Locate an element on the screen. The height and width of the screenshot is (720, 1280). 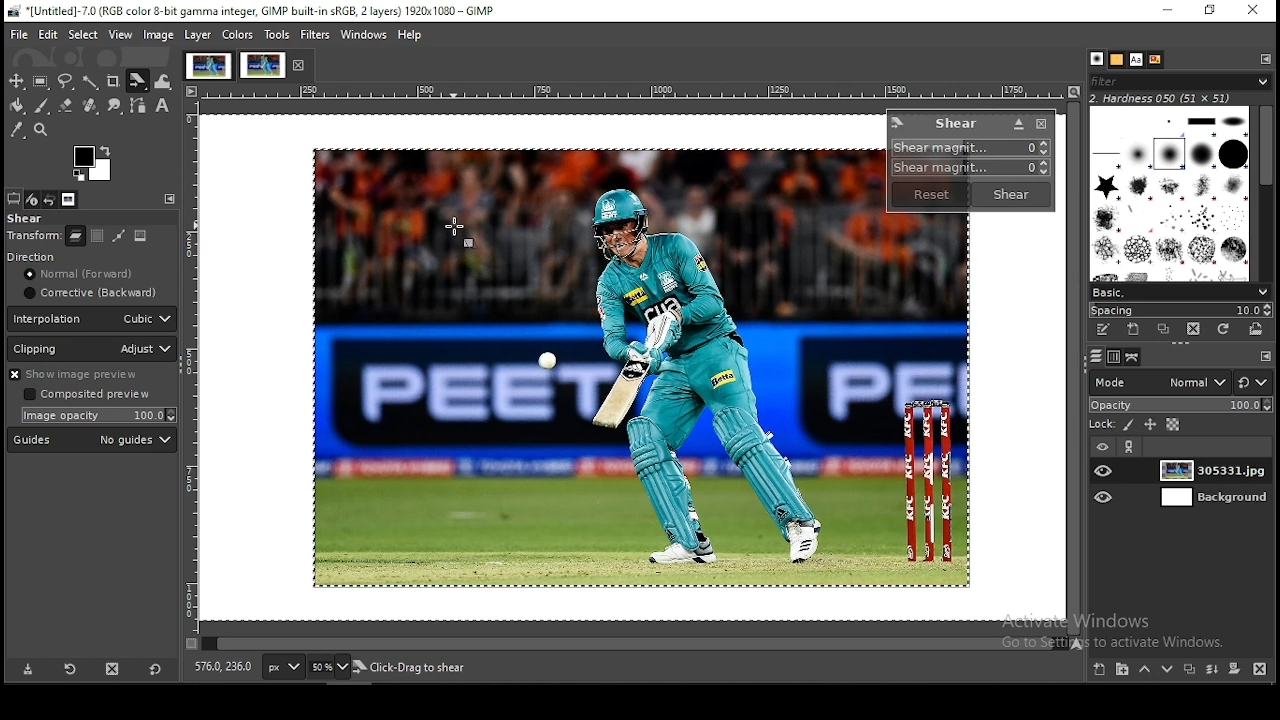
project tab 1 is located at coordinates (208, 66).